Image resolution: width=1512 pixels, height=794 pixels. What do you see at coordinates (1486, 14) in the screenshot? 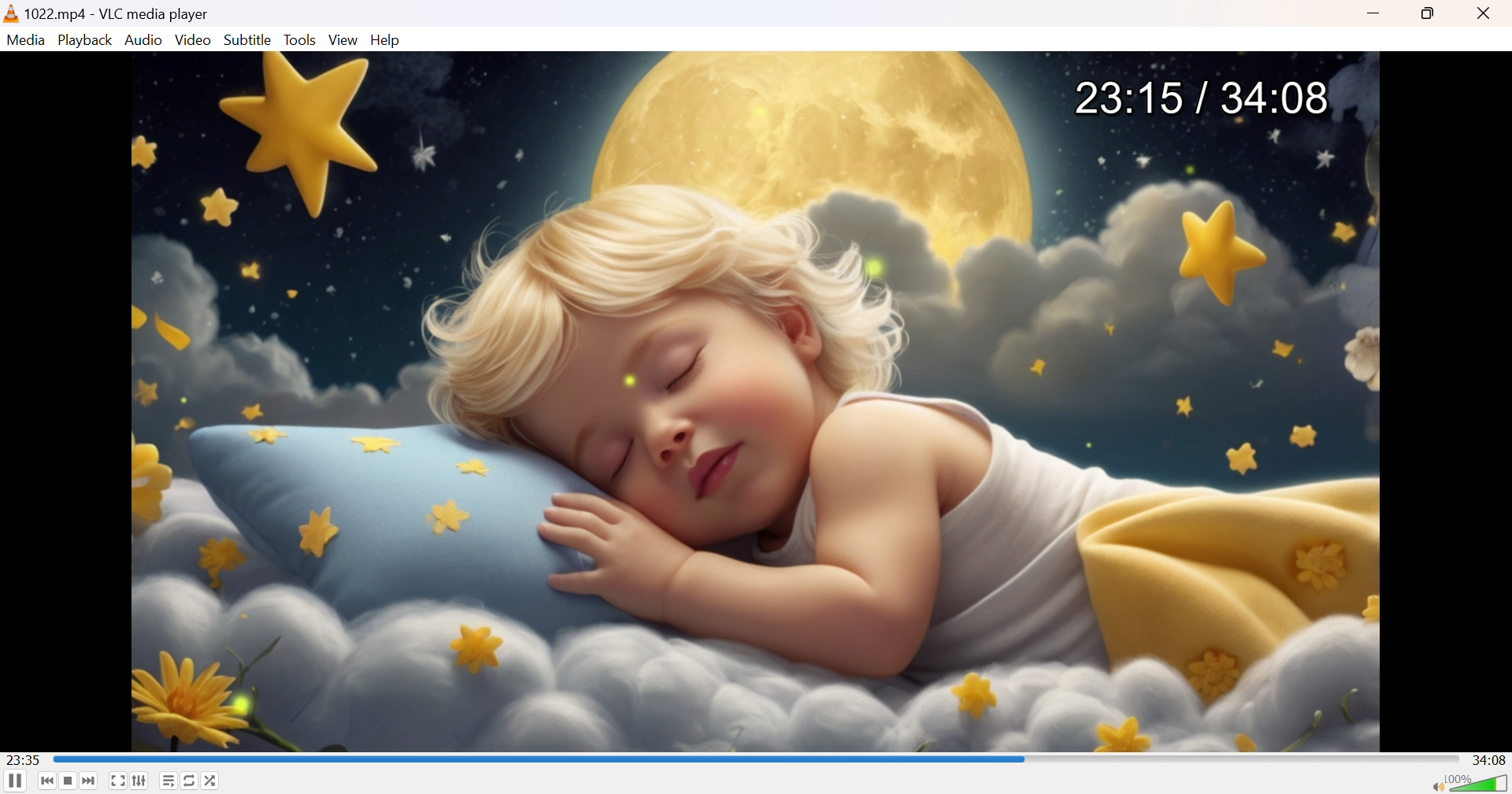
I see `Close` at bounding box center [1486, 14].